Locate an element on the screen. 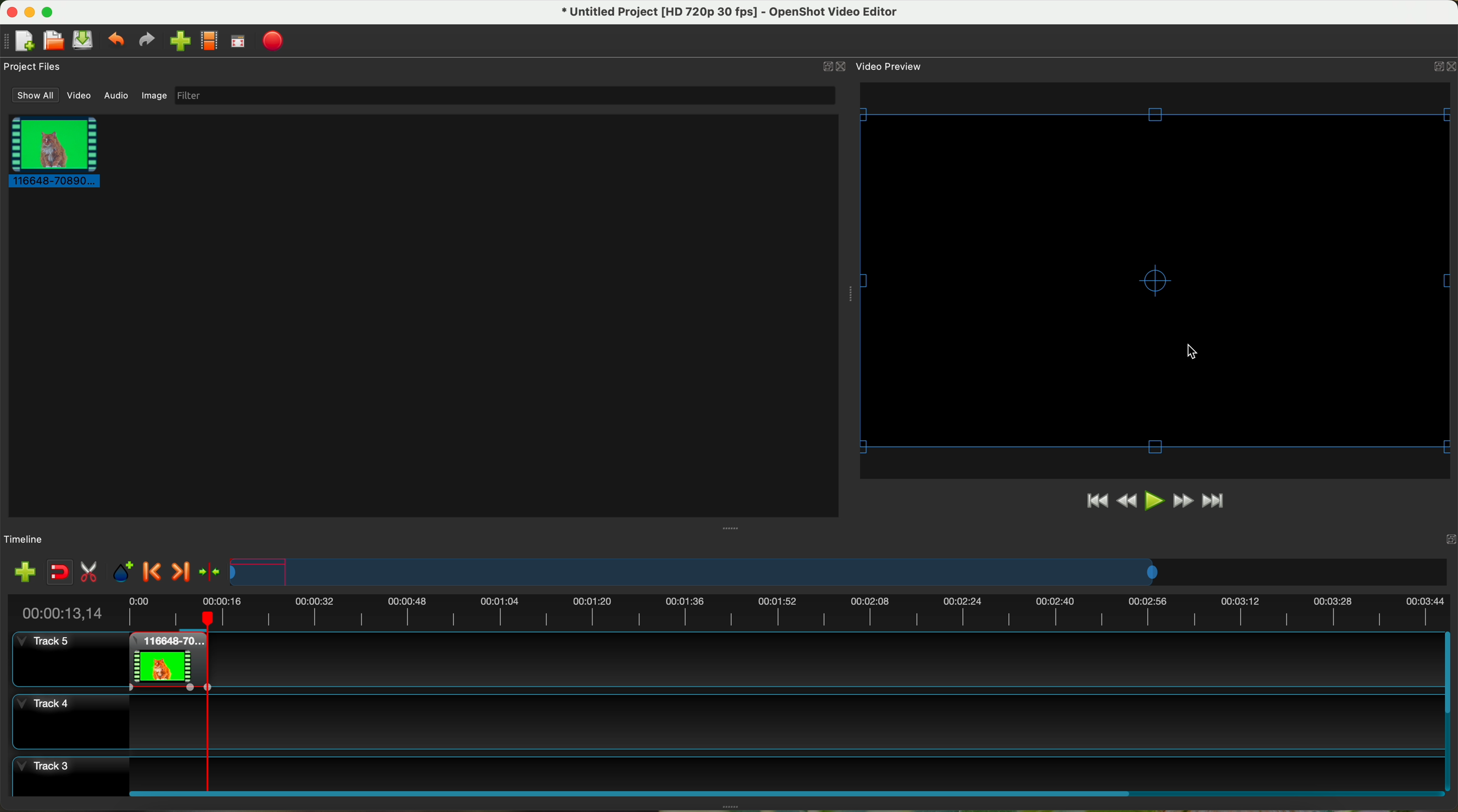 This screenshot has height=812, width=1458. disable snapping is located at coordinates (60, 572).